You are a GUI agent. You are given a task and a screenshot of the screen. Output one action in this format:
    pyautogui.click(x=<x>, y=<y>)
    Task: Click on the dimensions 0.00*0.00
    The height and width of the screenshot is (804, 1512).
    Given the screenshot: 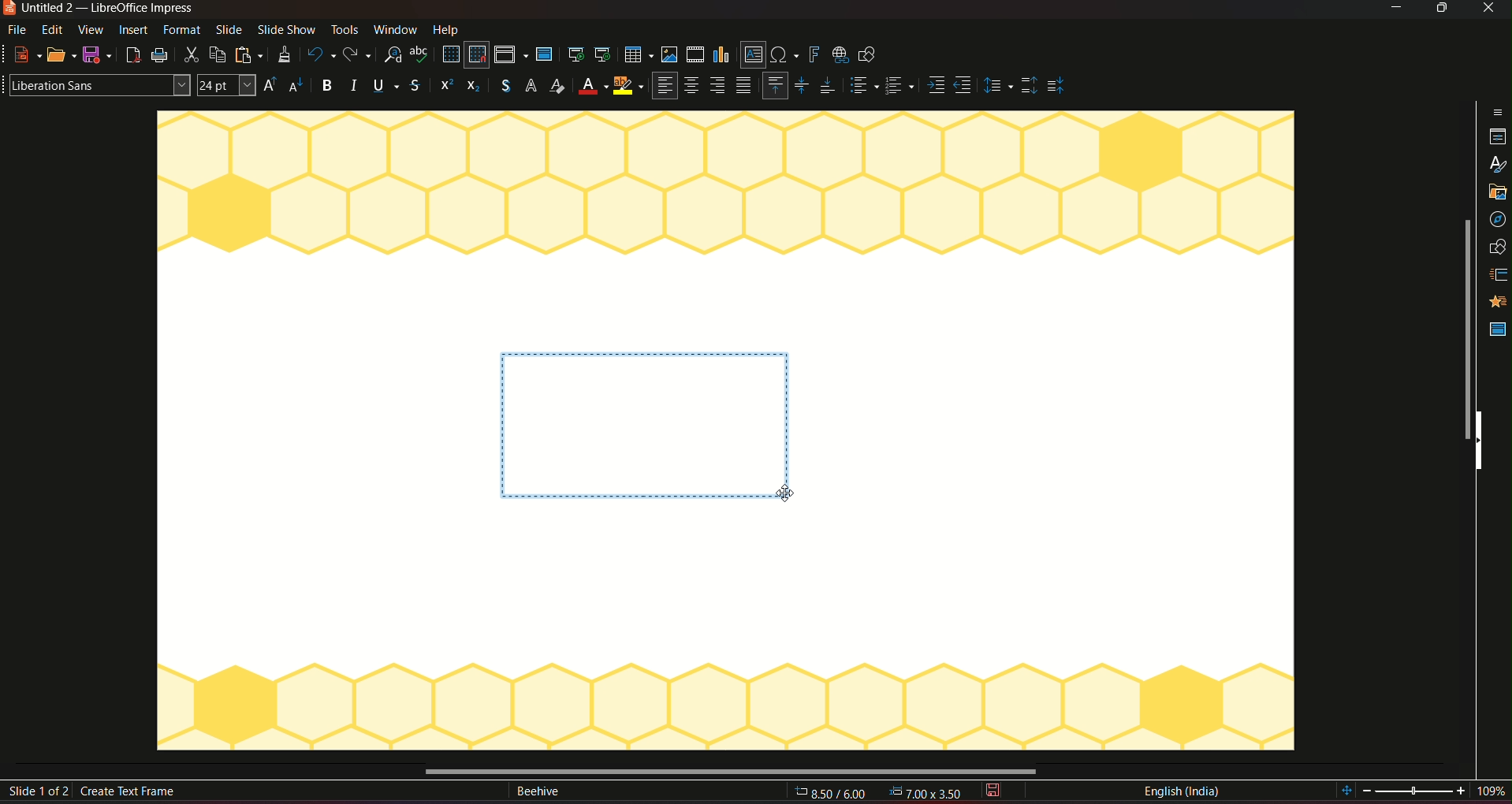 What is the action you would take?
    pyautogui.click(x=928, y=794)
    